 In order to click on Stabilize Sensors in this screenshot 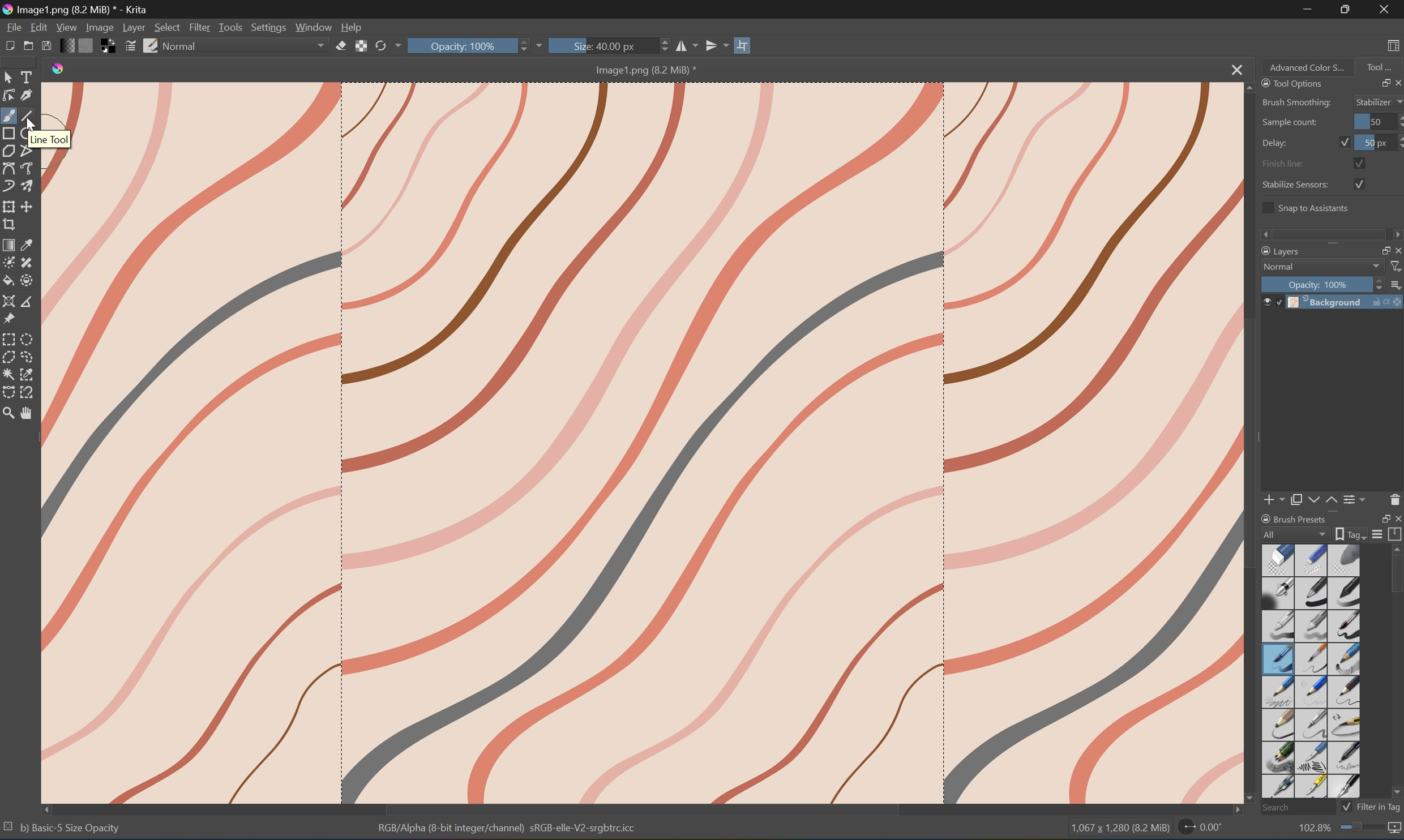, I will do `click(1295, 184)`.